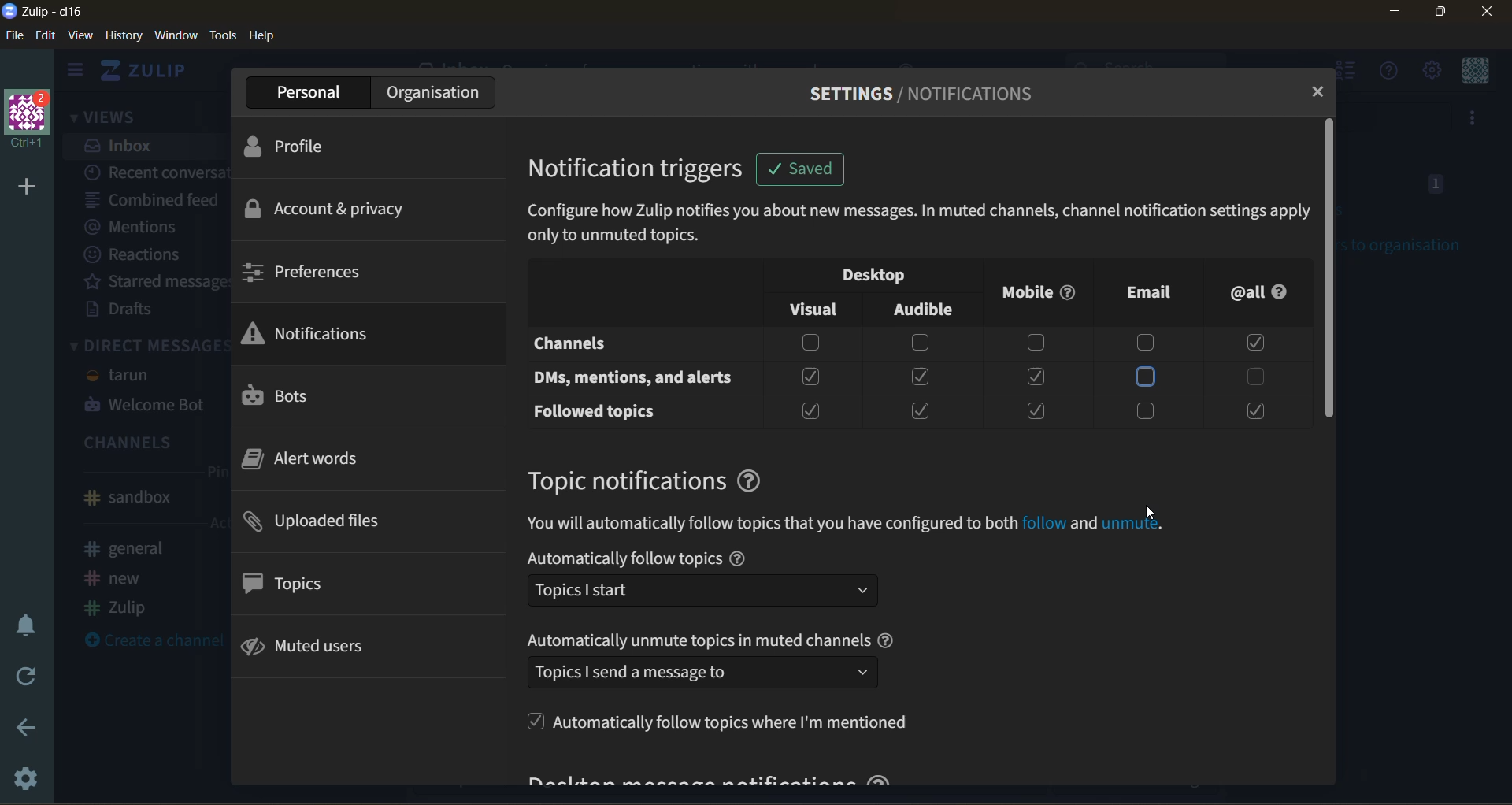 This screenshot has height=805, width=1512. Describe the element at coordinates (1383, 71) in the screenshot. I see `help menu` at that location.